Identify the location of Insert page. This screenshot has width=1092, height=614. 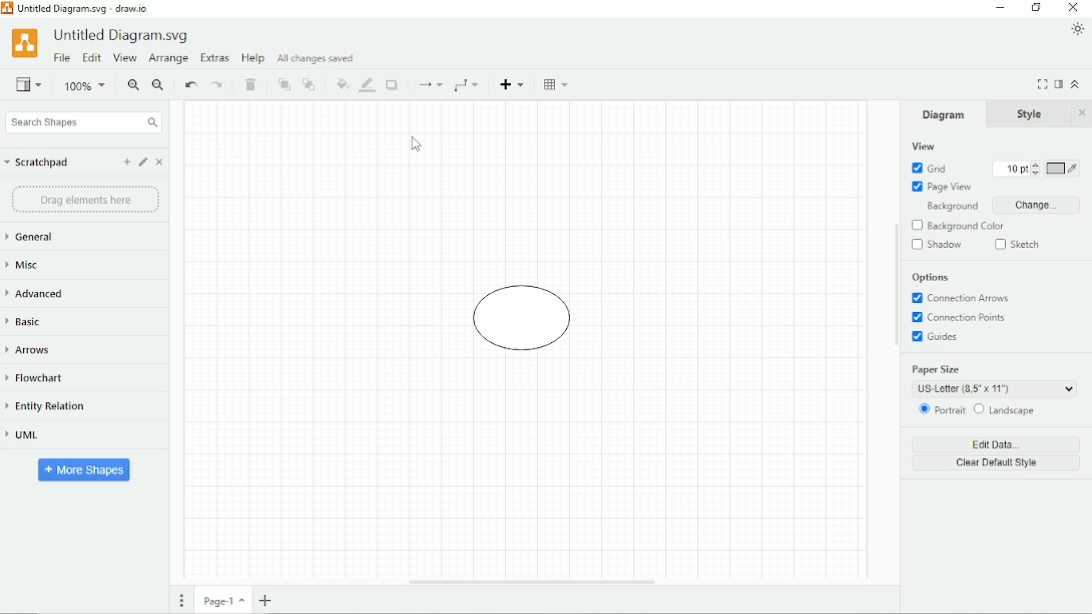
(265, 600).